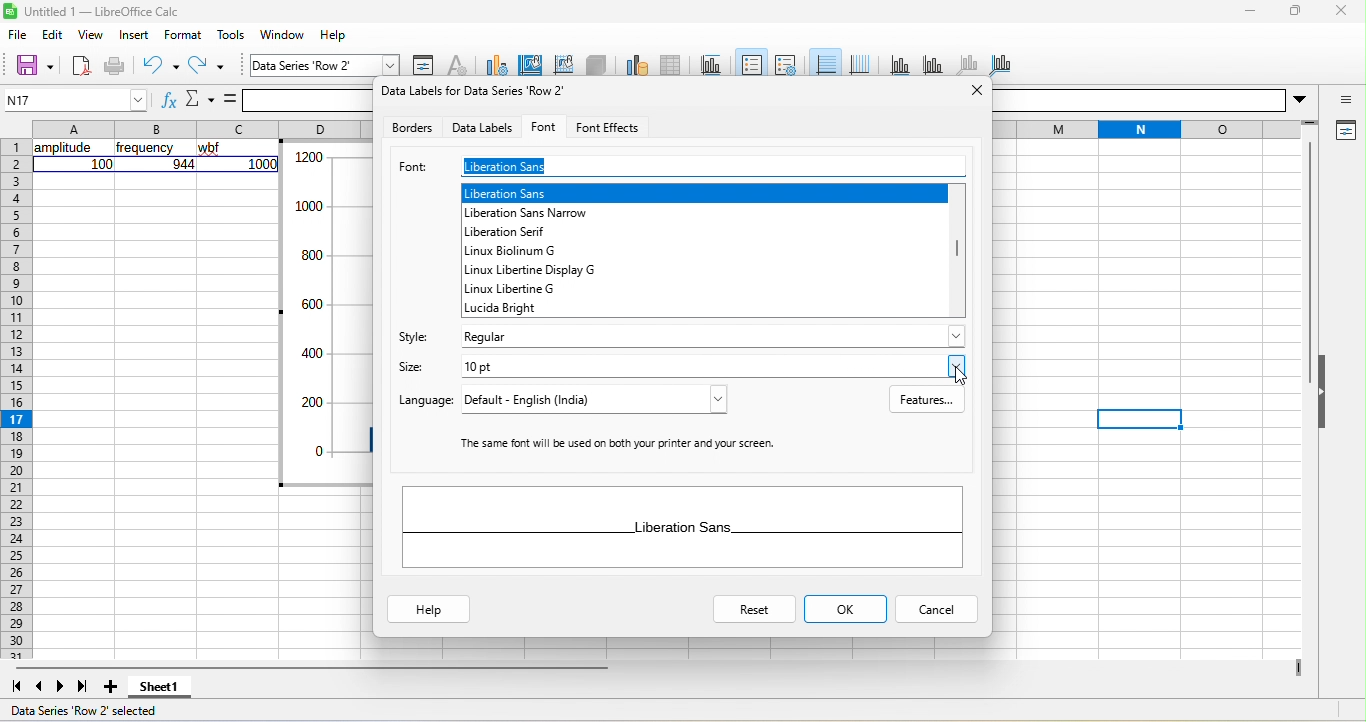  Describe the element at coordinates (670, 64) in the screenshot. I see `data table` at that location.